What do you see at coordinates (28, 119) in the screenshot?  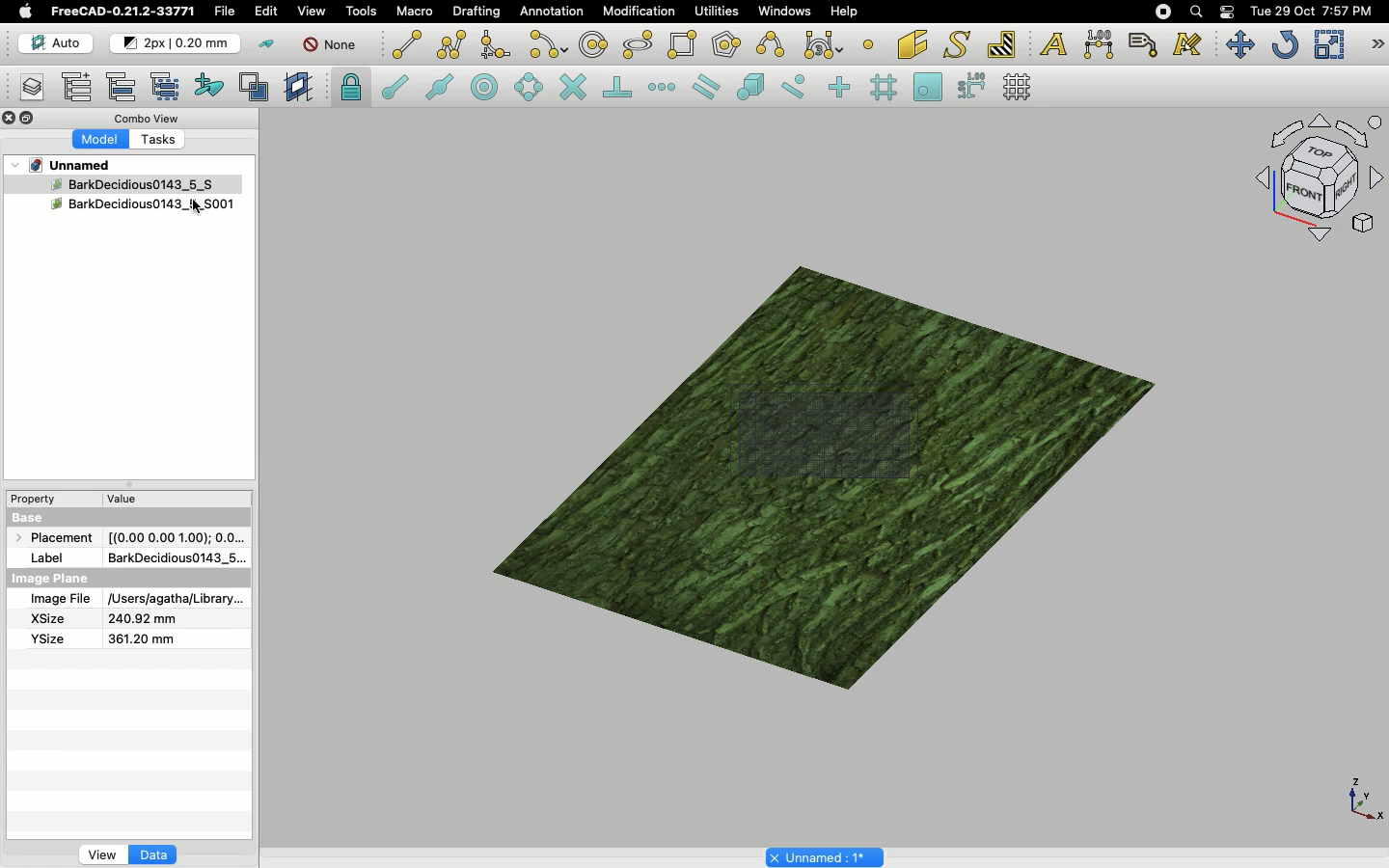 I see `Collapse` at bounding box center [28, 119].